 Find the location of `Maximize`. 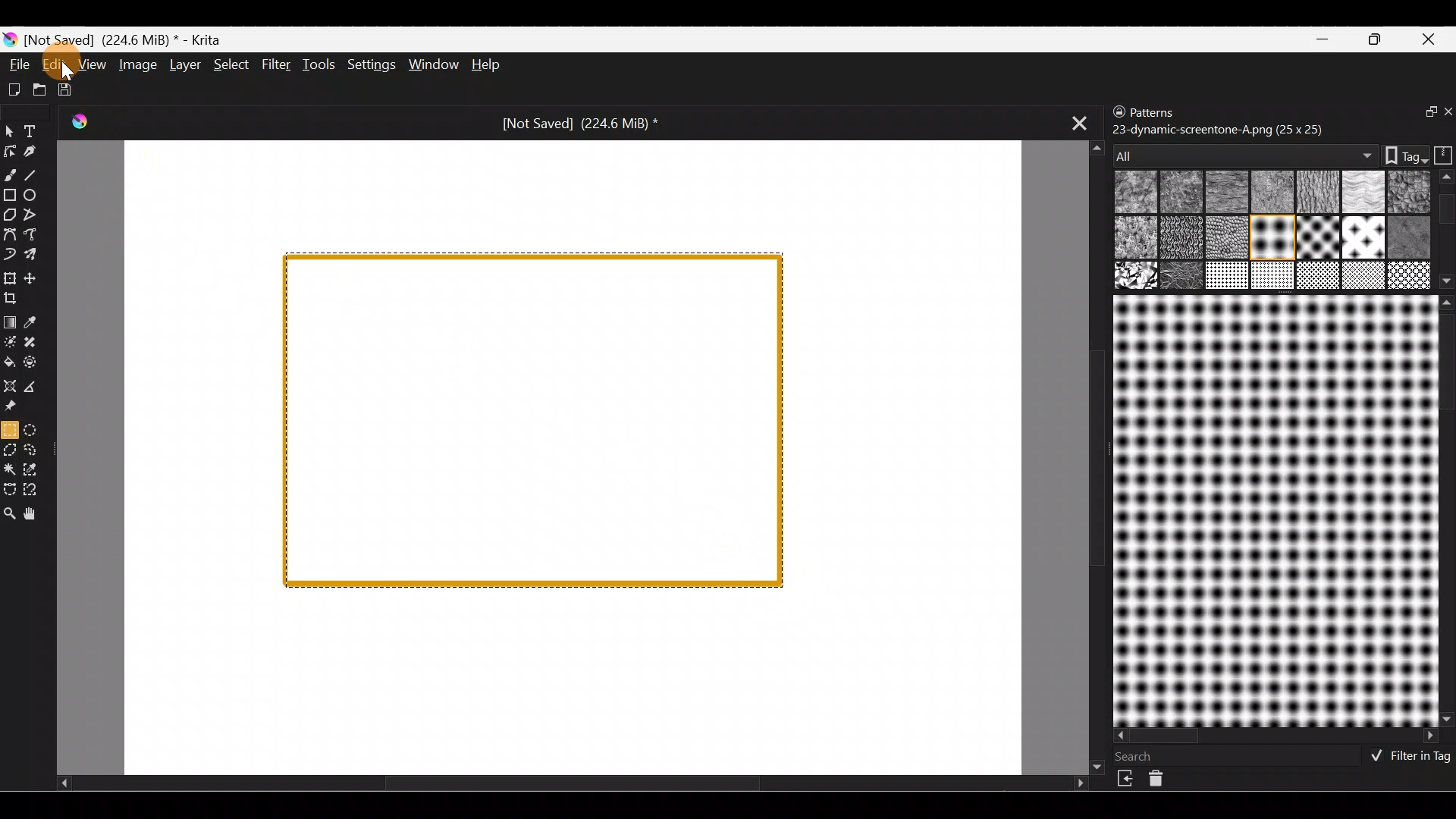

Maximize is located at coordinates (1379, 39).